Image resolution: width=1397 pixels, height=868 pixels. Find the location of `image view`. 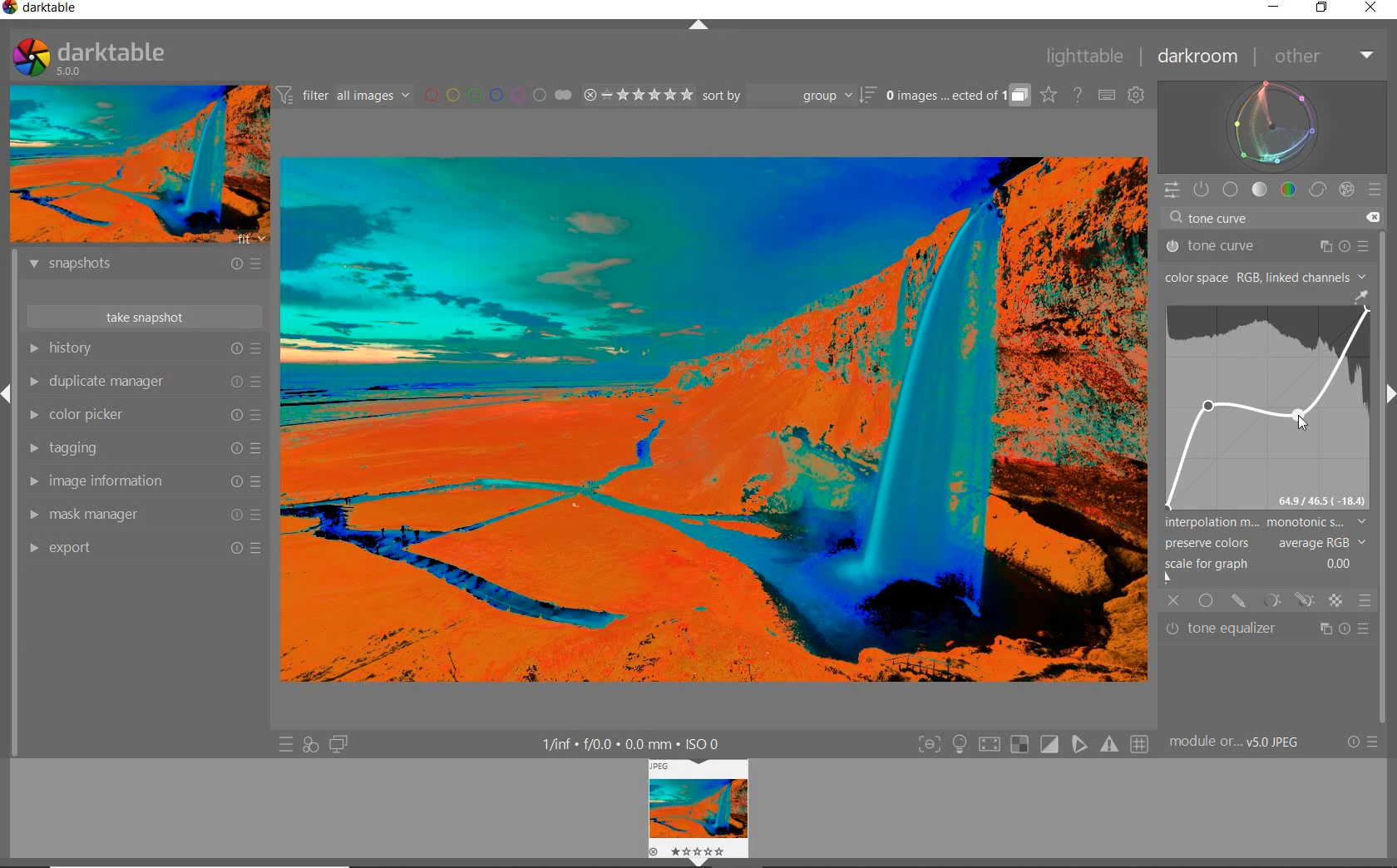

image view is located at coordinates (694, 806).